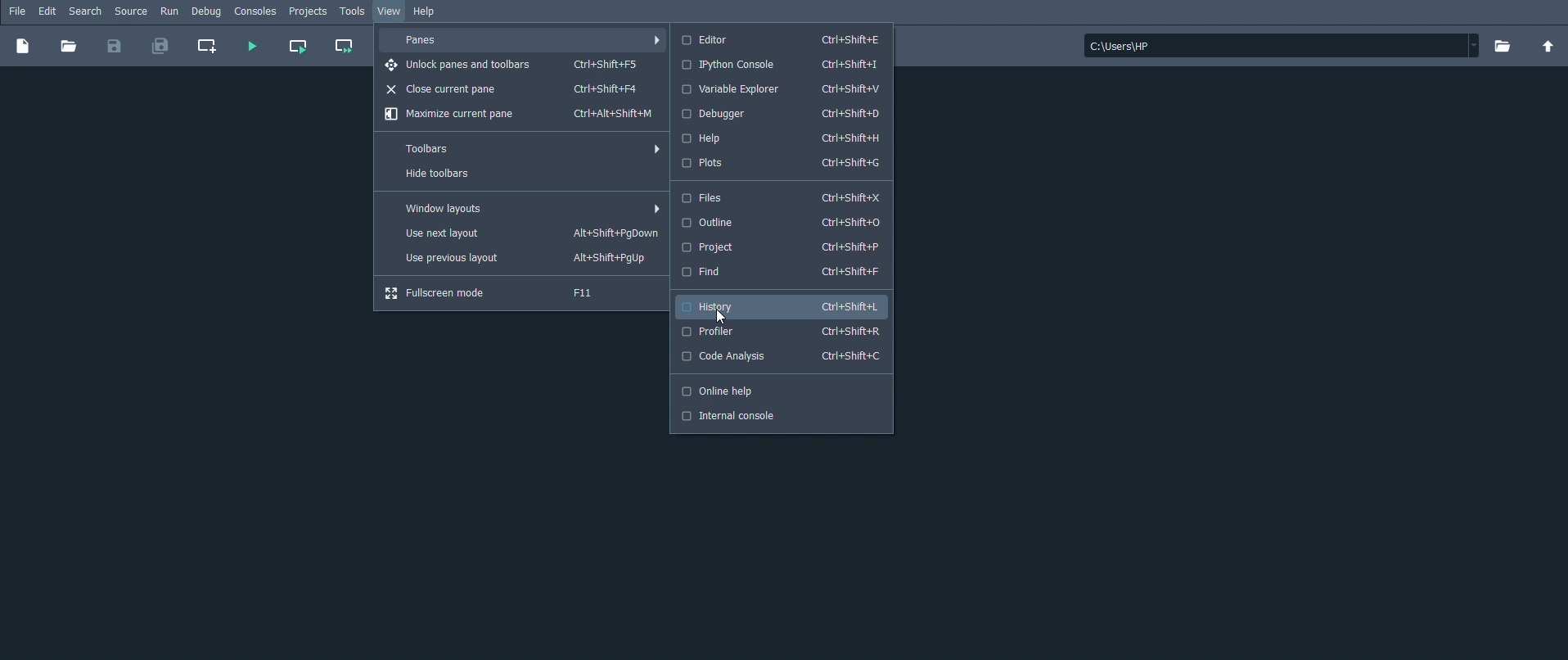 The image size is (1568, 660). I want to click on Change to parent directory, so click(1548, 47).